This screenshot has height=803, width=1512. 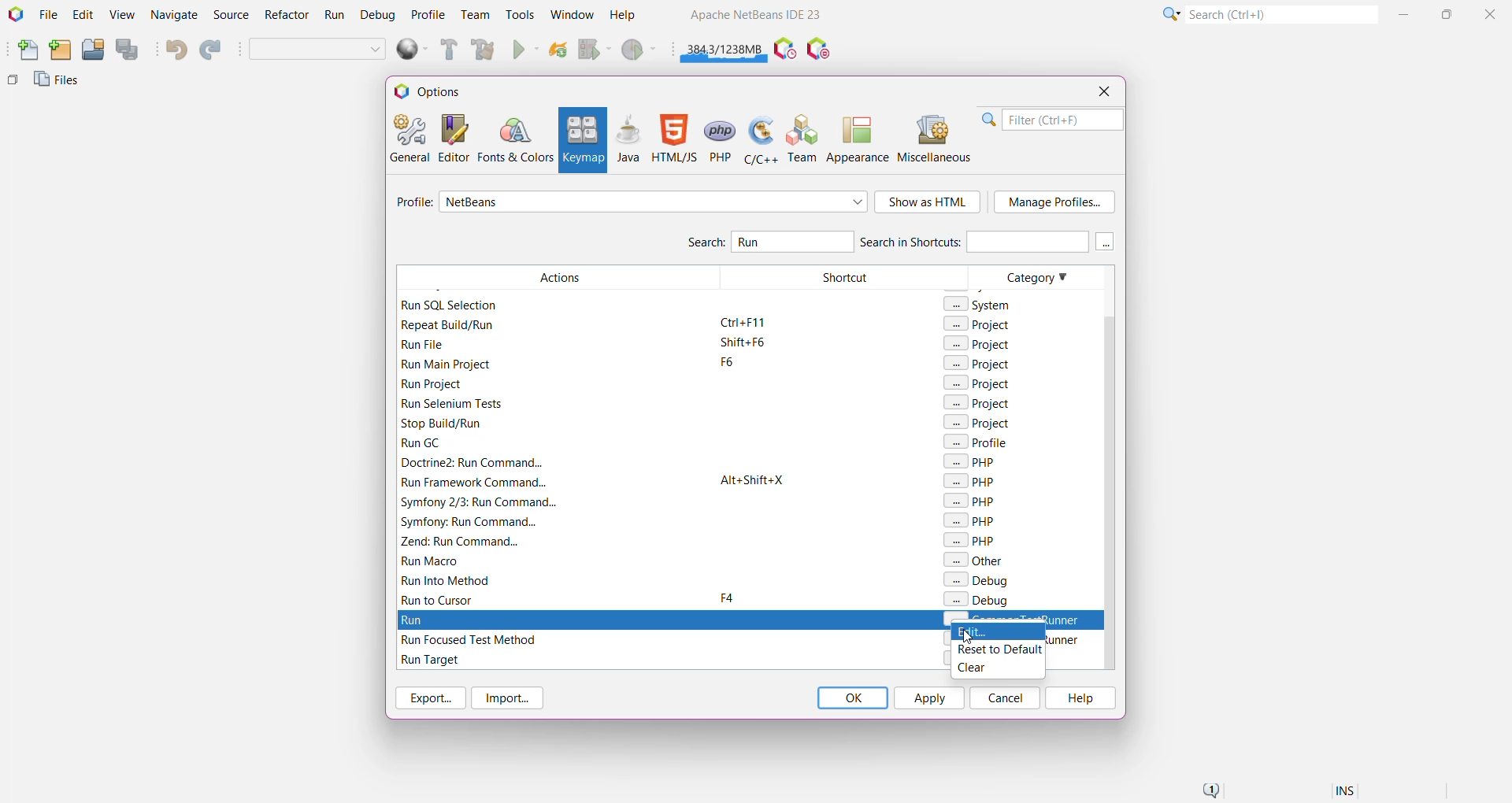 I want to click on Run, so click(x=526, y=51).